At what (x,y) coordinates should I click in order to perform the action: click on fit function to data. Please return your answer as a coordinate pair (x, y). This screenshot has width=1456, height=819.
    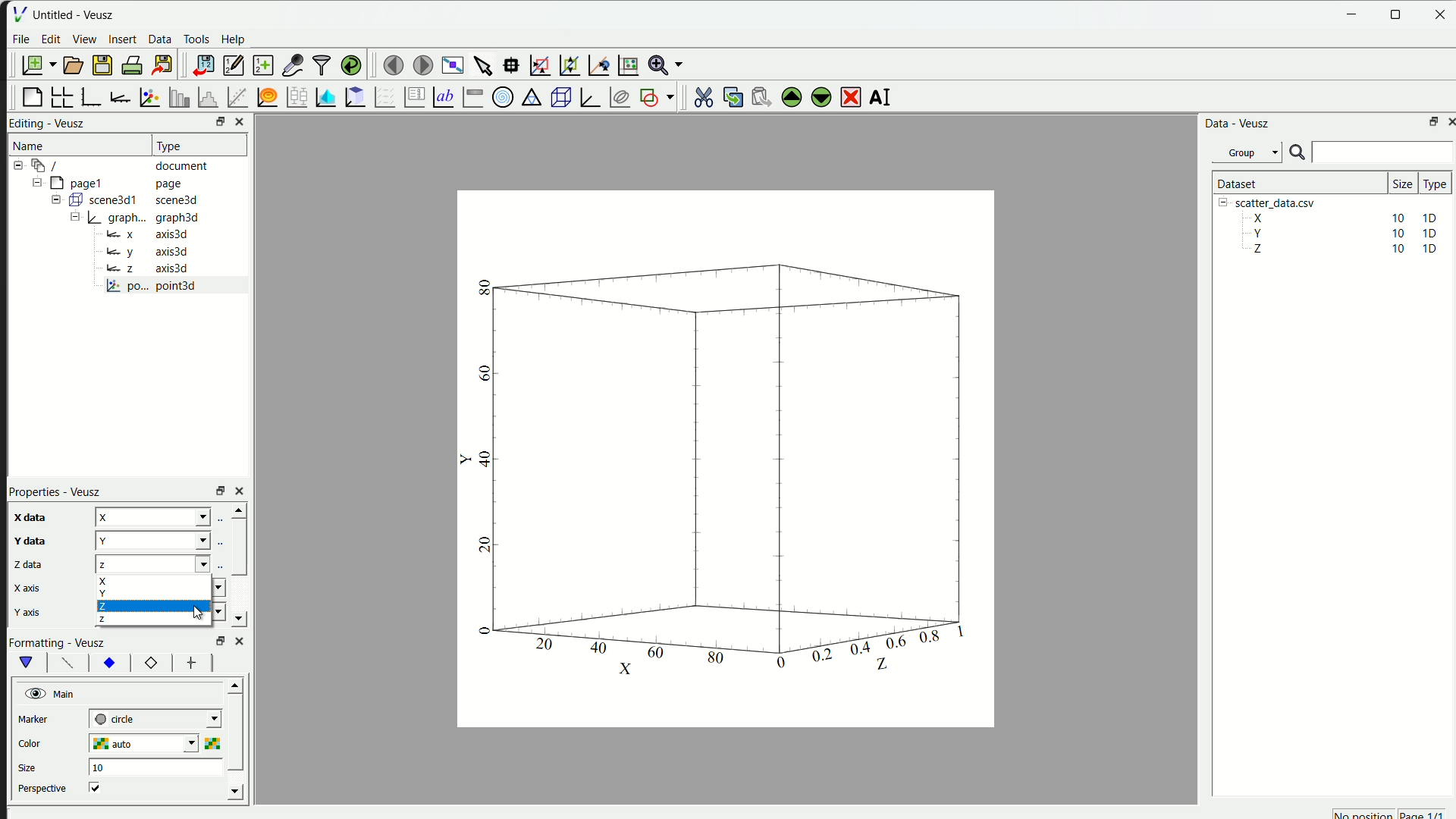
    Looking at the image, I should click on (236, 96).